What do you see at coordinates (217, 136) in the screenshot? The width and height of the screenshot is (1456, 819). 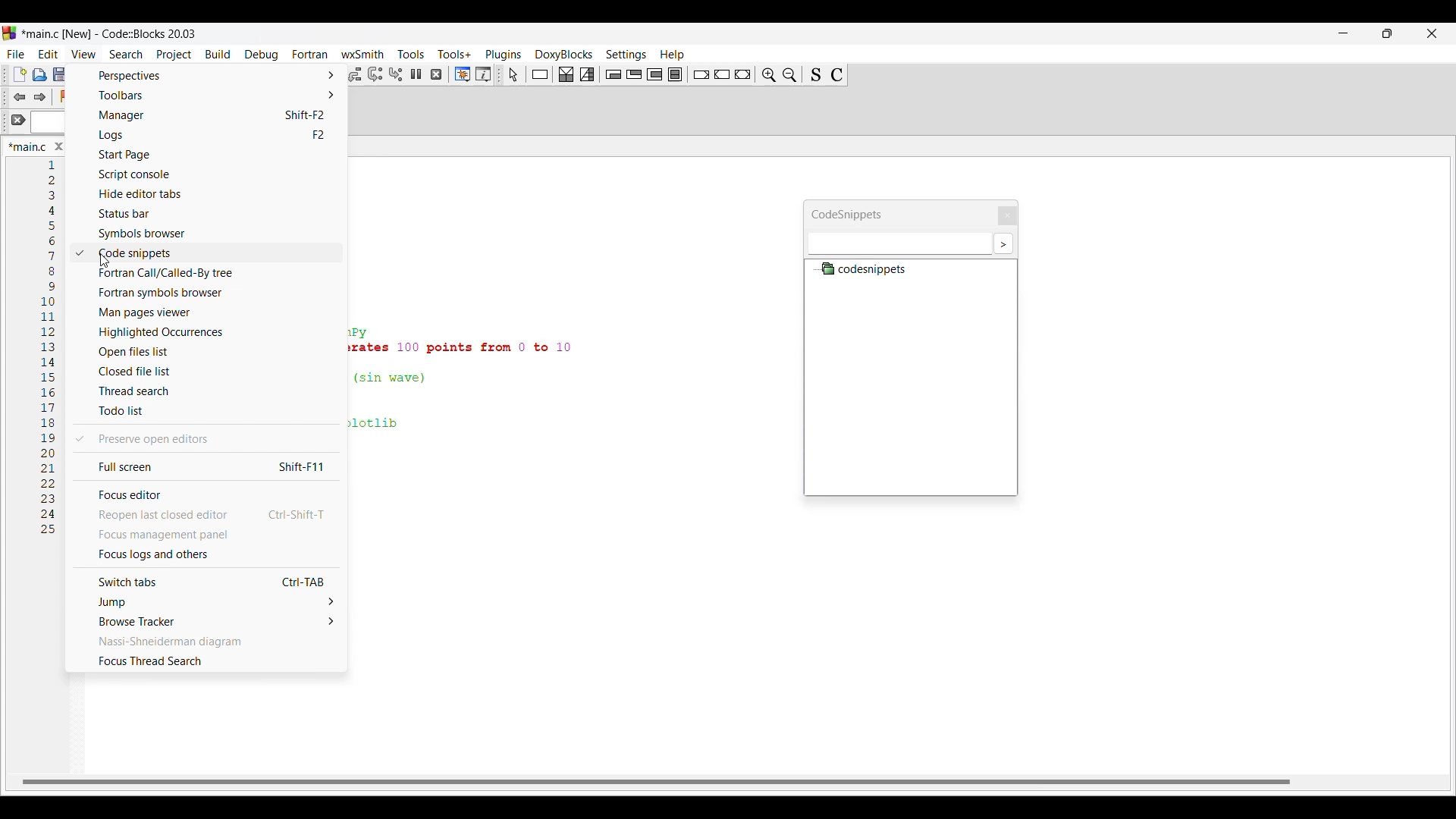 I see `Logs` at bounding box center [217, 136].